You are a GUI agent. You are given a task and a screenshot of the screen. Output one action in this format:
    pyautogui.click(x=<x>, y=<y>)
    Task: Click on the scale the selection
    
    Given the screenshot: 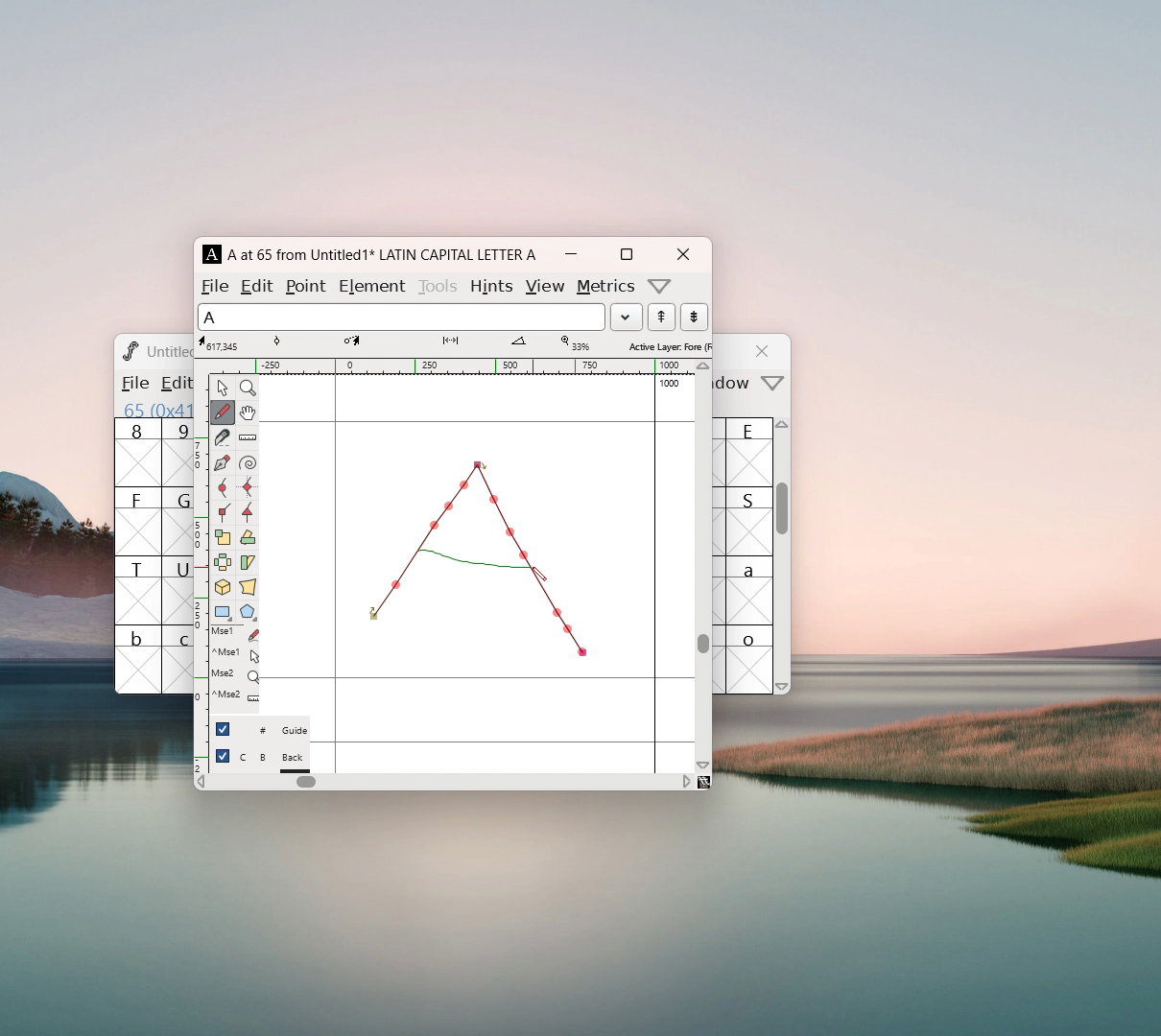 What is the action you would take?
    pyautogui.click(x=223, y=538)
    